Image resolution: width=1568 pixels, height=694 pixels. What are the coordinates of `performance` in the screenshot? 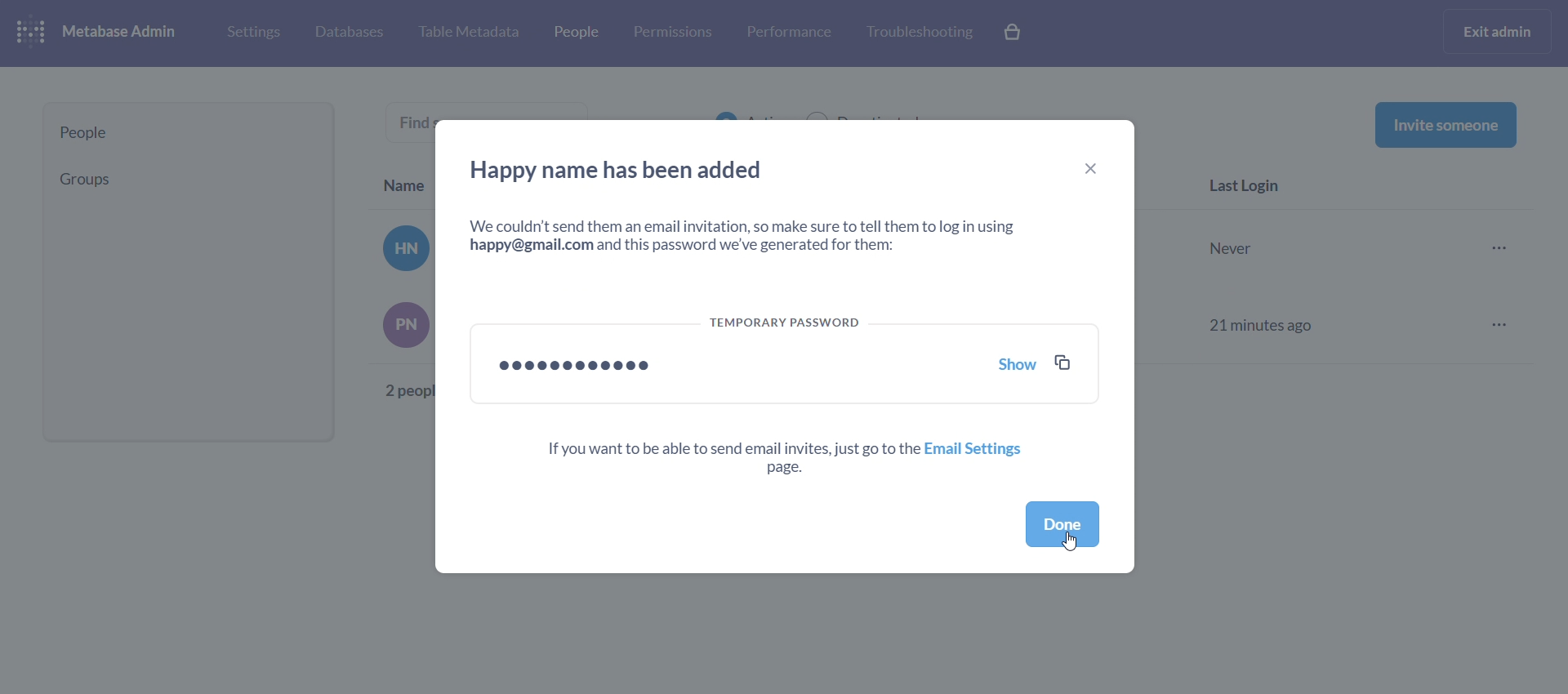 It's located at (789, 31).